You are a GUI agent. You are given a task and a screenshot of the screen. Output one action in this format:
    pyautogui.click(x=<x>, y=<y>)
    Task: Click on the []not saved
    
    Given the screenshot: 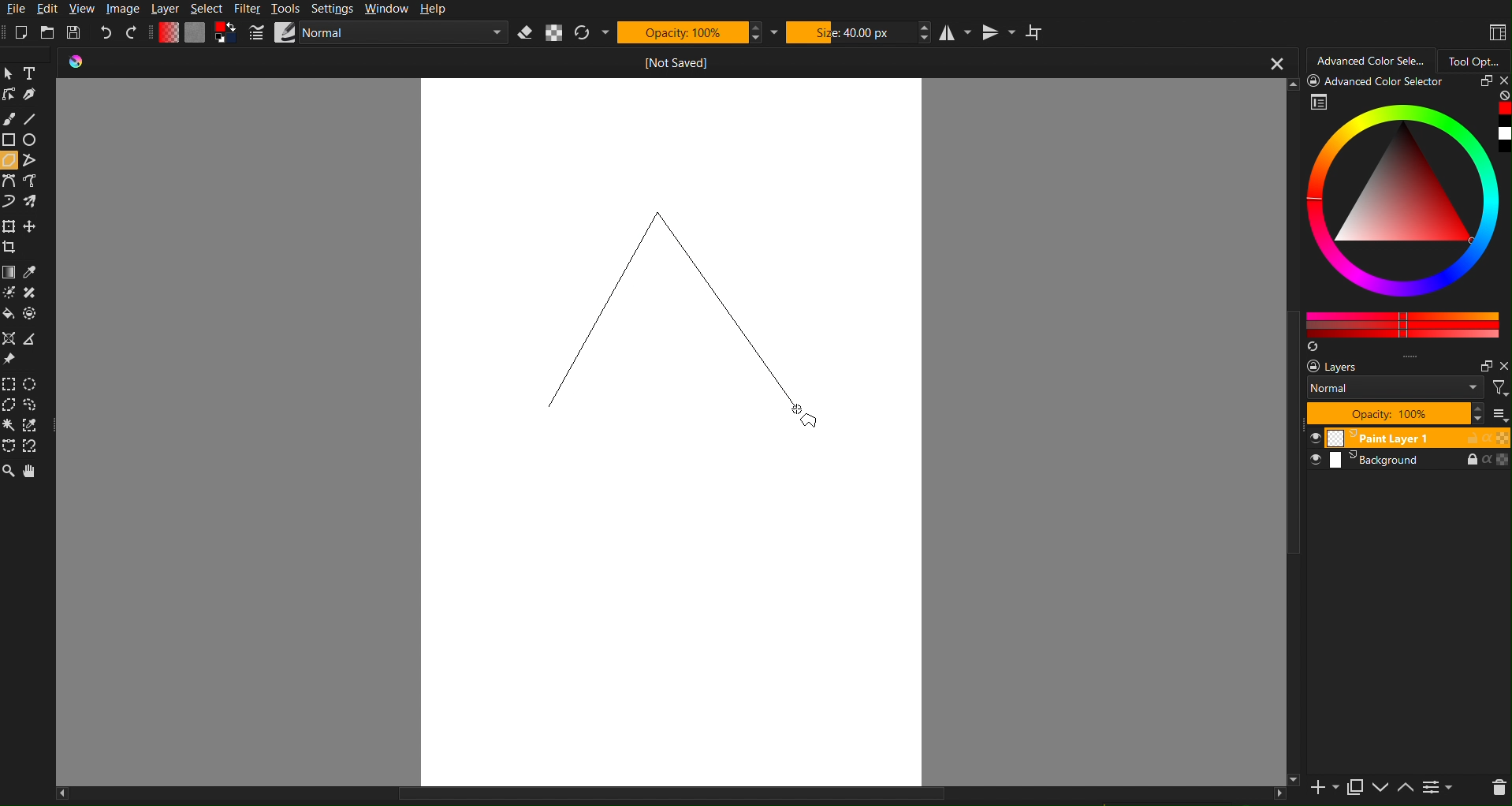 What is the action you would take?
    pyautogui.click(x=683, y=62)
    